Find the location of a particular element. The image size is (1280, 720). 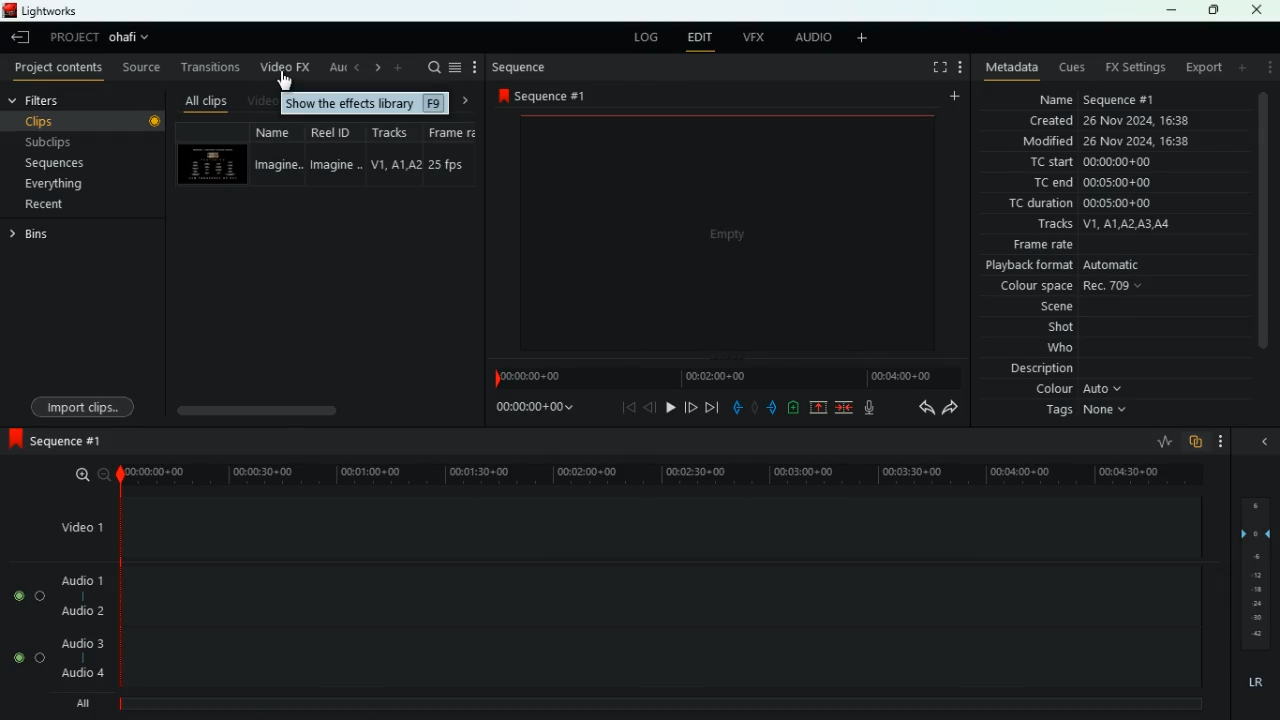

import is located at coordinates (87, 408).